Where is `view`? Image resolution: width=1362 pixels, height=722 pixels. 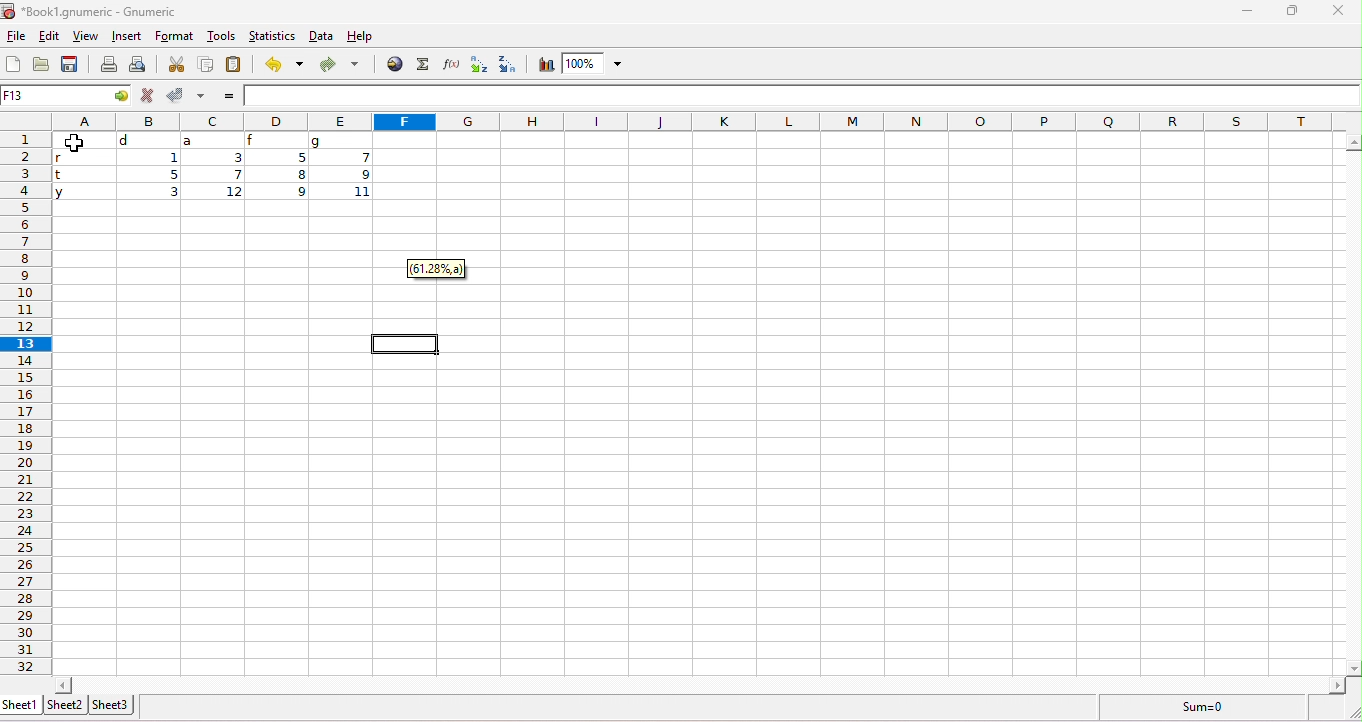
view is located at coordinates (85, 36).